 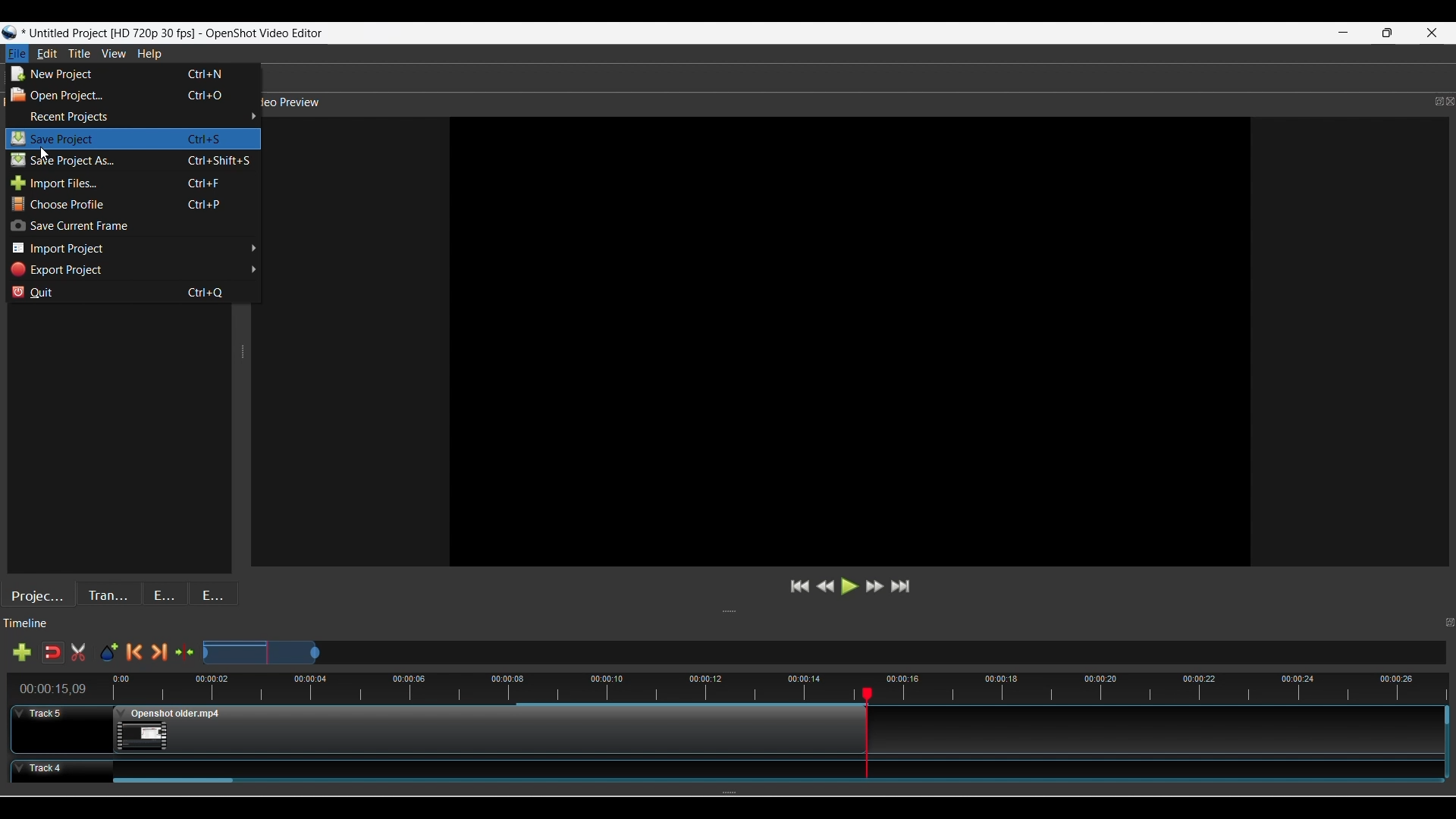 I want to click on Track Header for track 5, so click(x=61, y=729).